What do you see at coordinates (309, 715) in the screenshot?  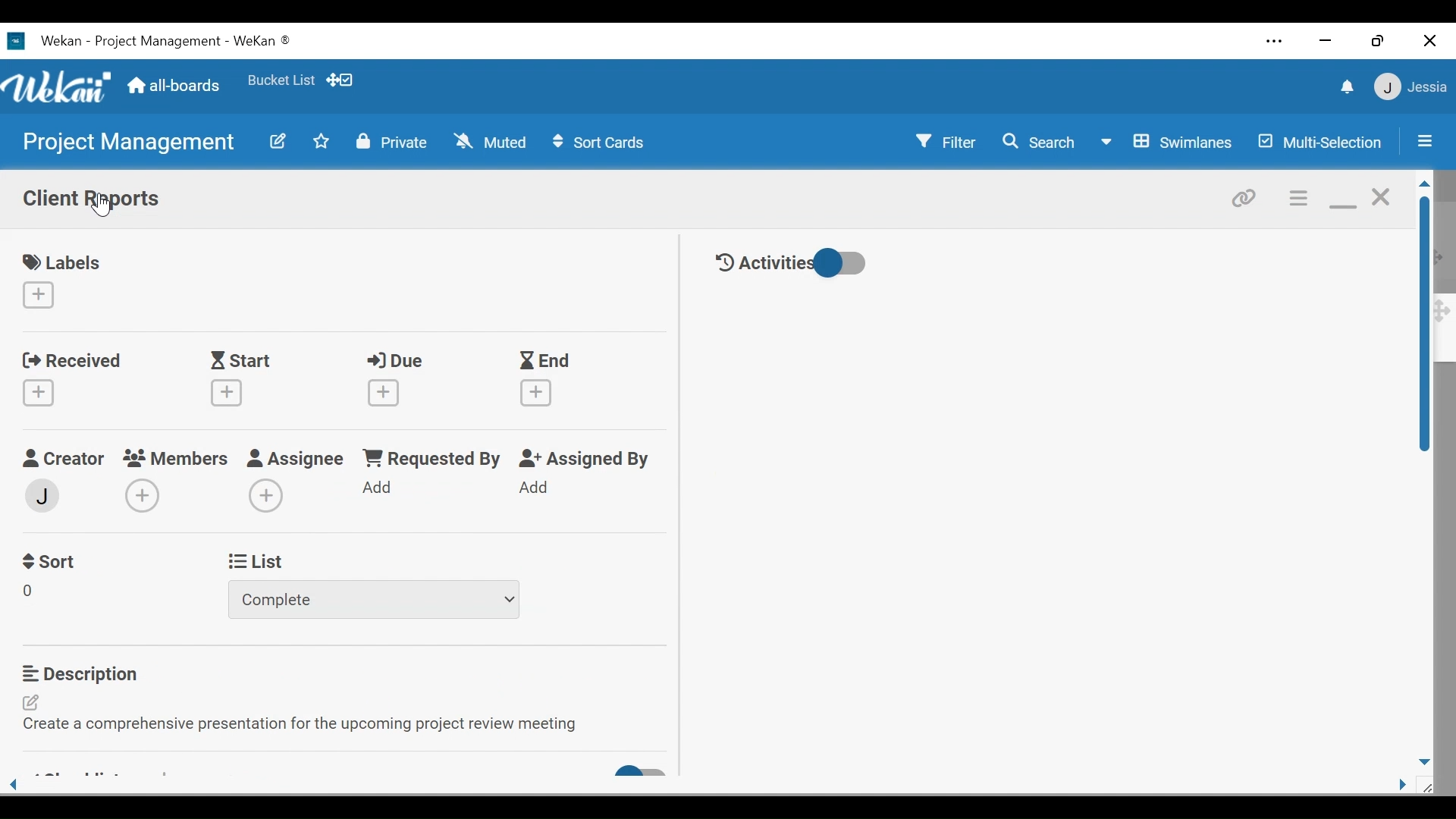 I see `Edit Description` at bounding box center [309, 715].